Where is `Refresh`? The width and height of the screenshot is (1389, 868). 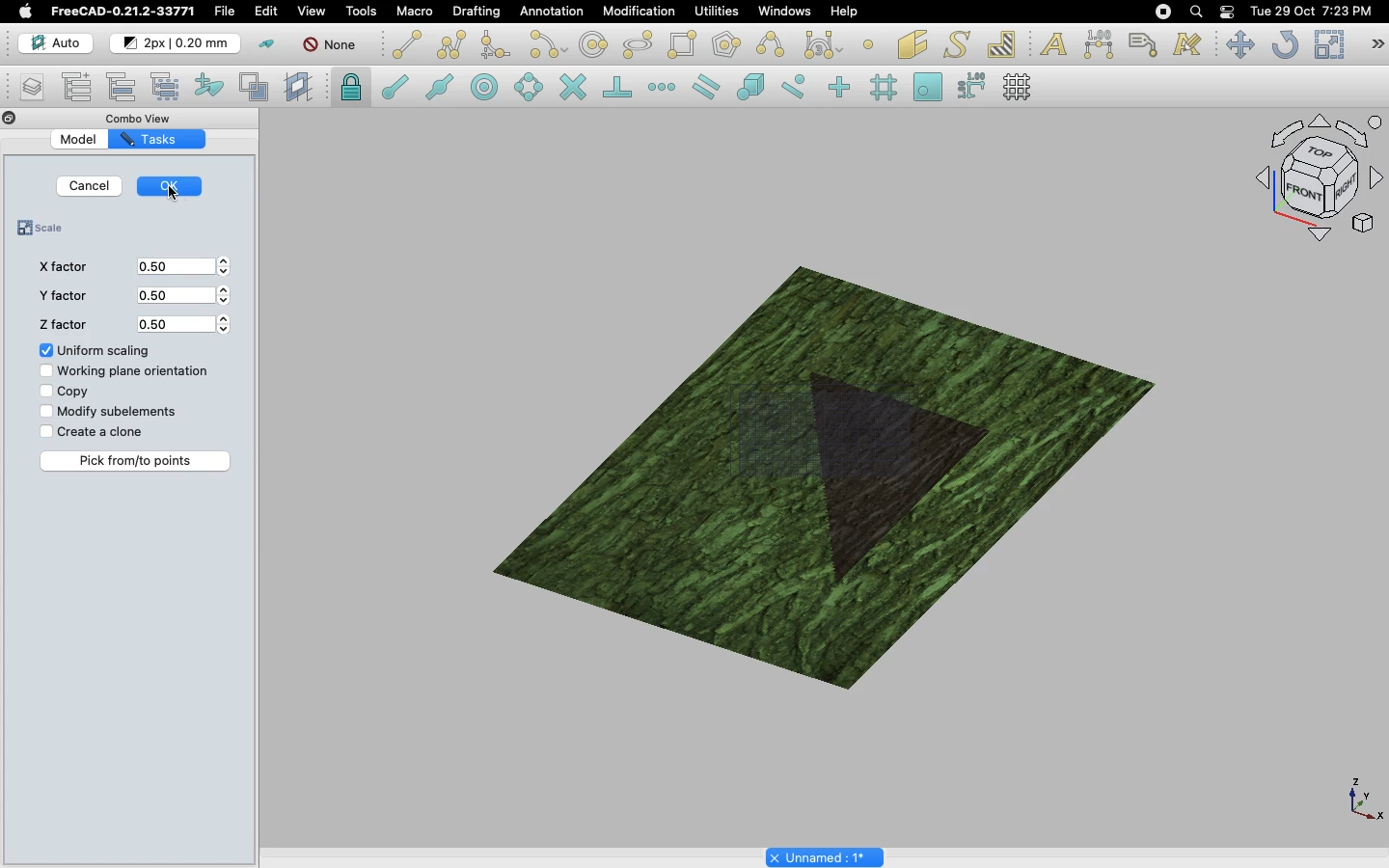
Refresh is located at coordinates (1284, 44).